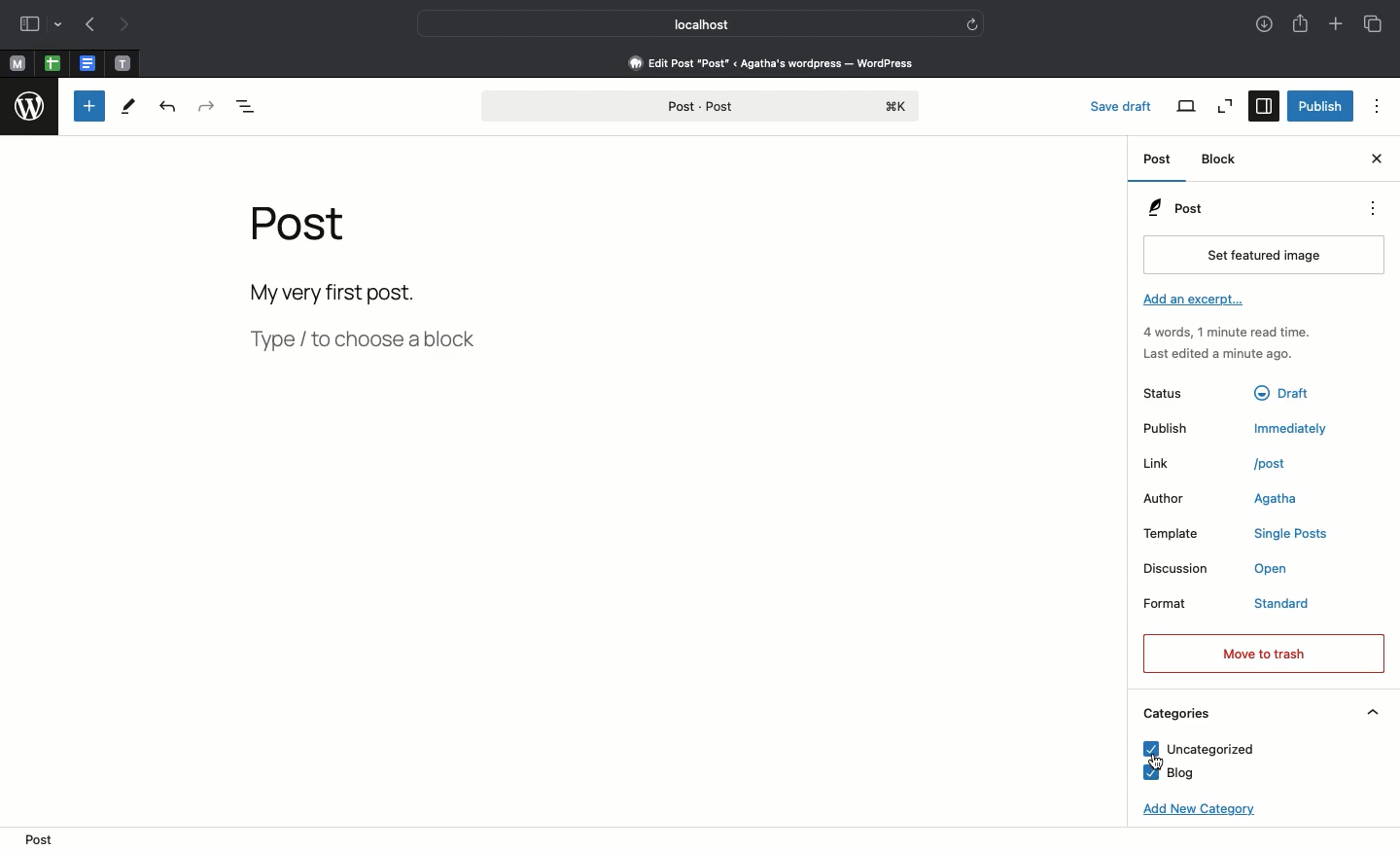 This screenshot has width=1400, height=850. What do you see at coordinates (1320, 104) in the screenshot?
I see `Publish` at bounding box center [1320, 104].